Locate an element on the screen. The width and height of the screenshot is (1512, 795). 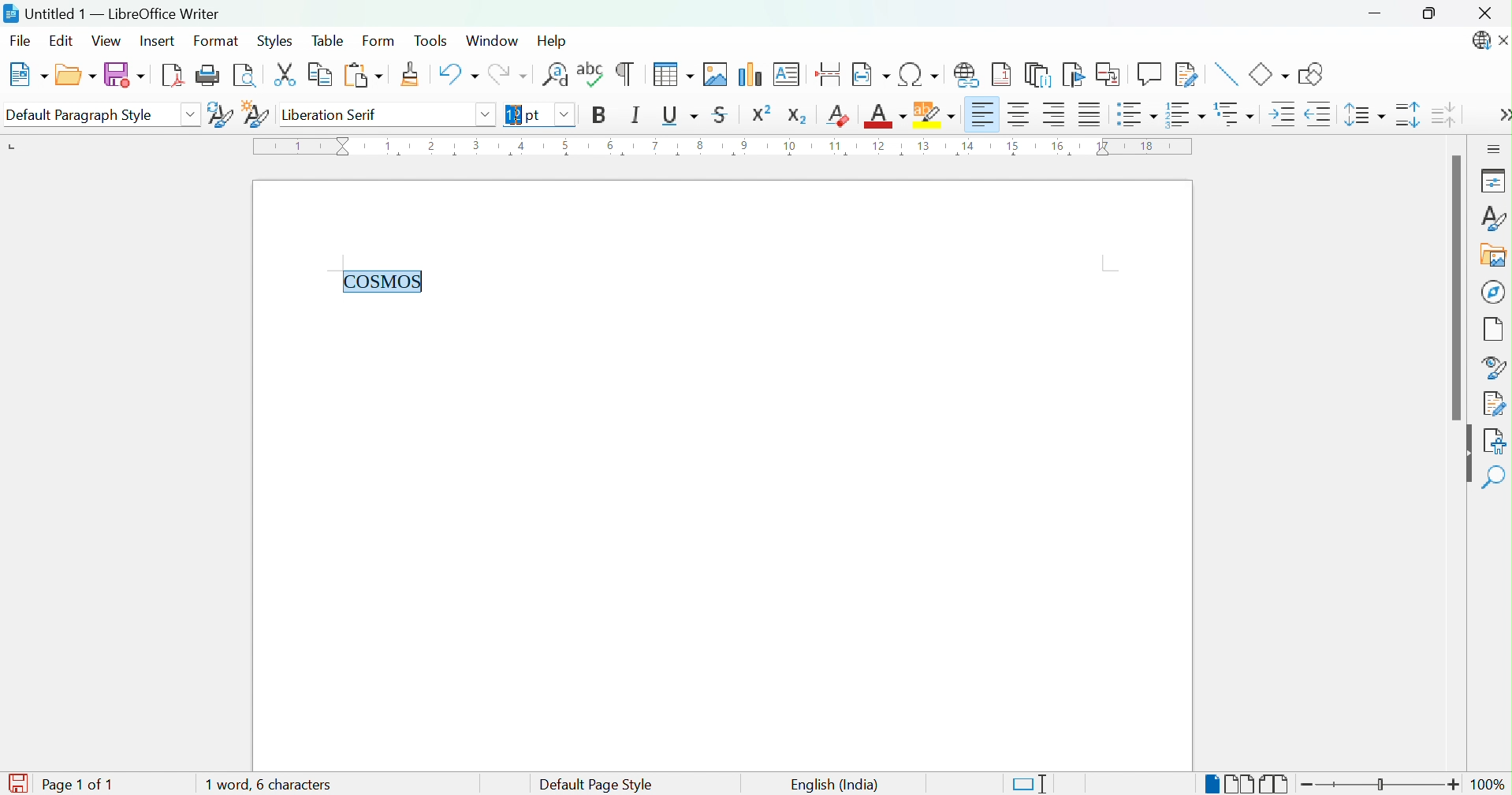
Window is located at coordinates (495, 42).